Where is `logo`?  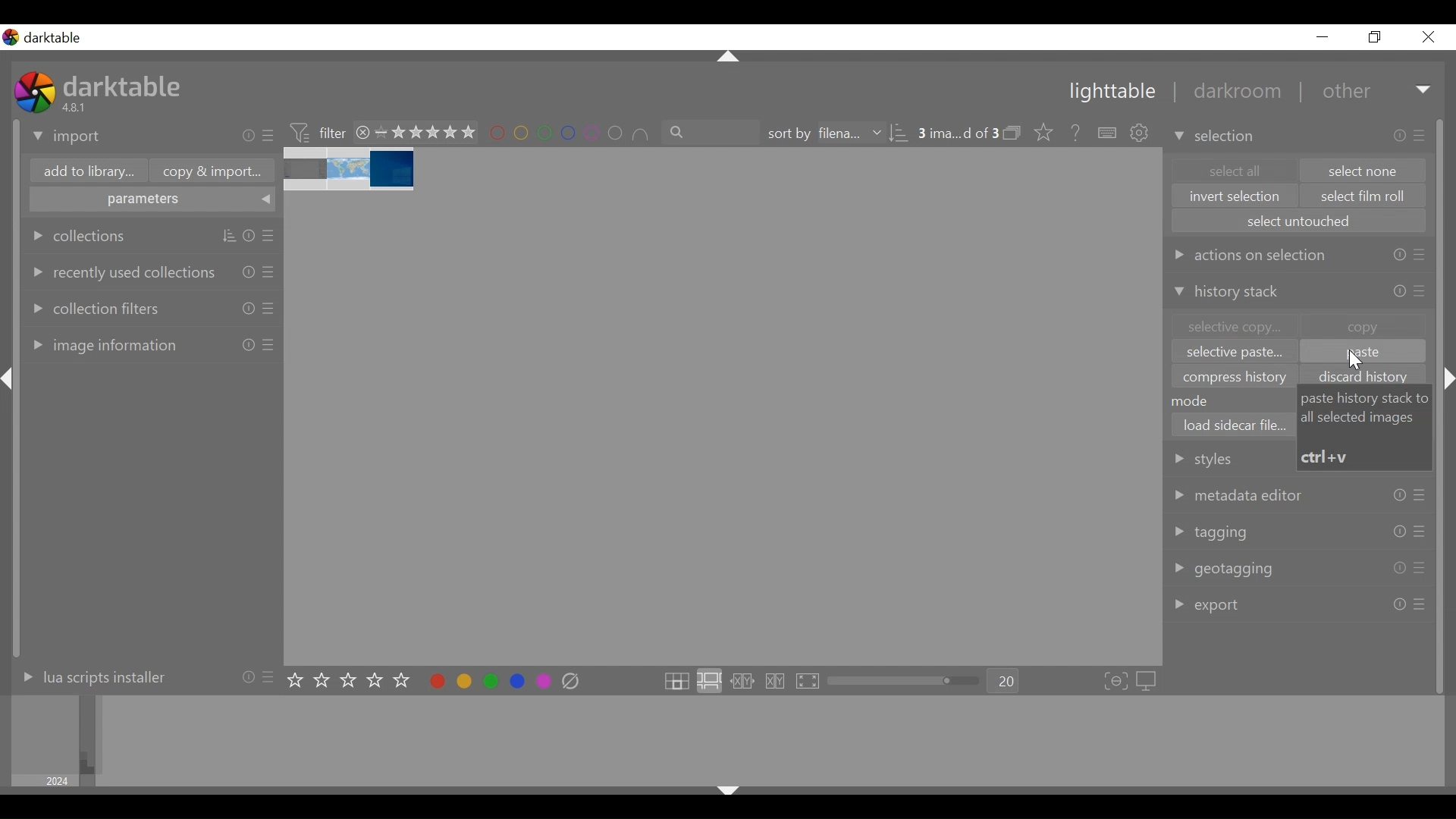
logo is located at coordinates (35, 92).